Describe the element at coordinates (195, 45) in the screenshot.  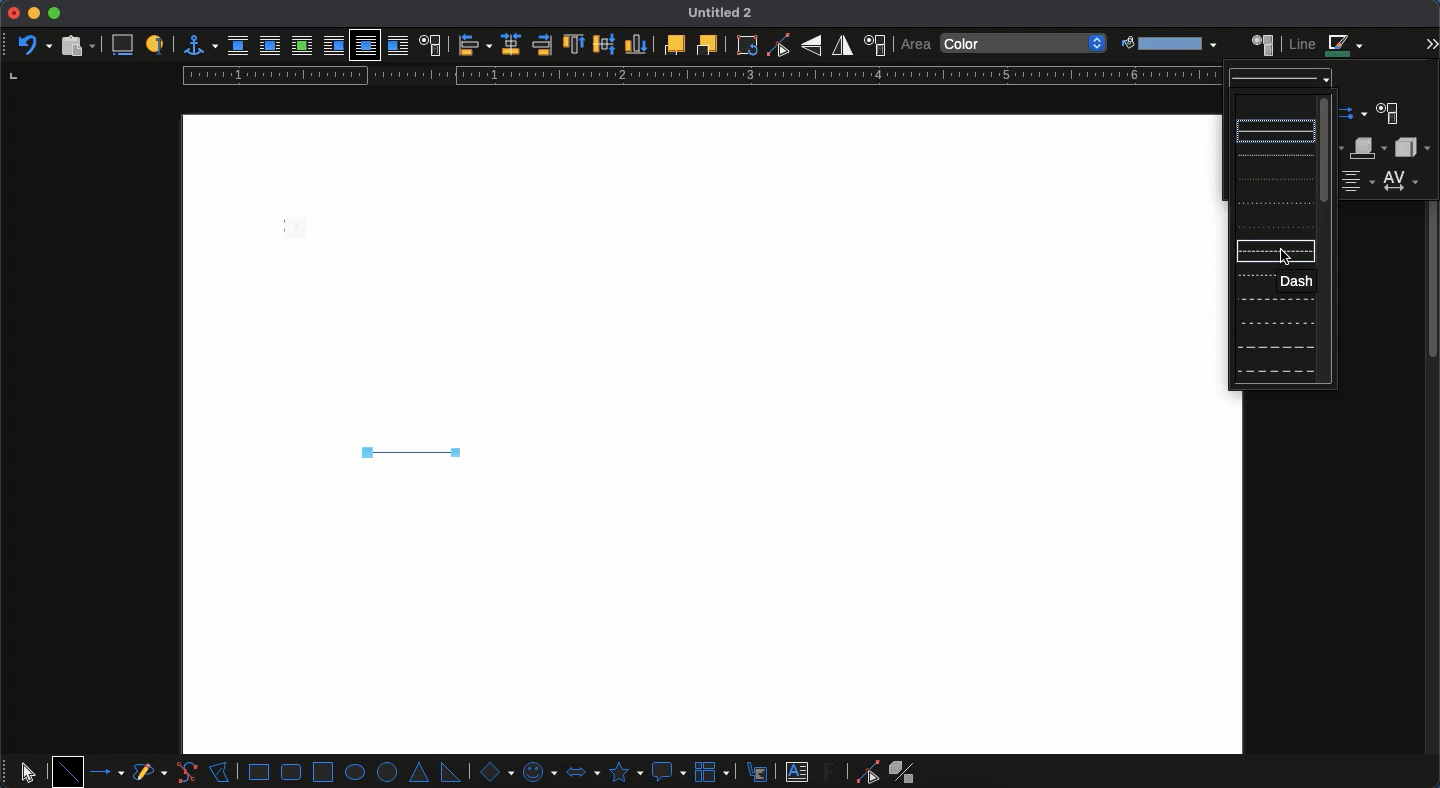
I see `anchor for object` at that location.